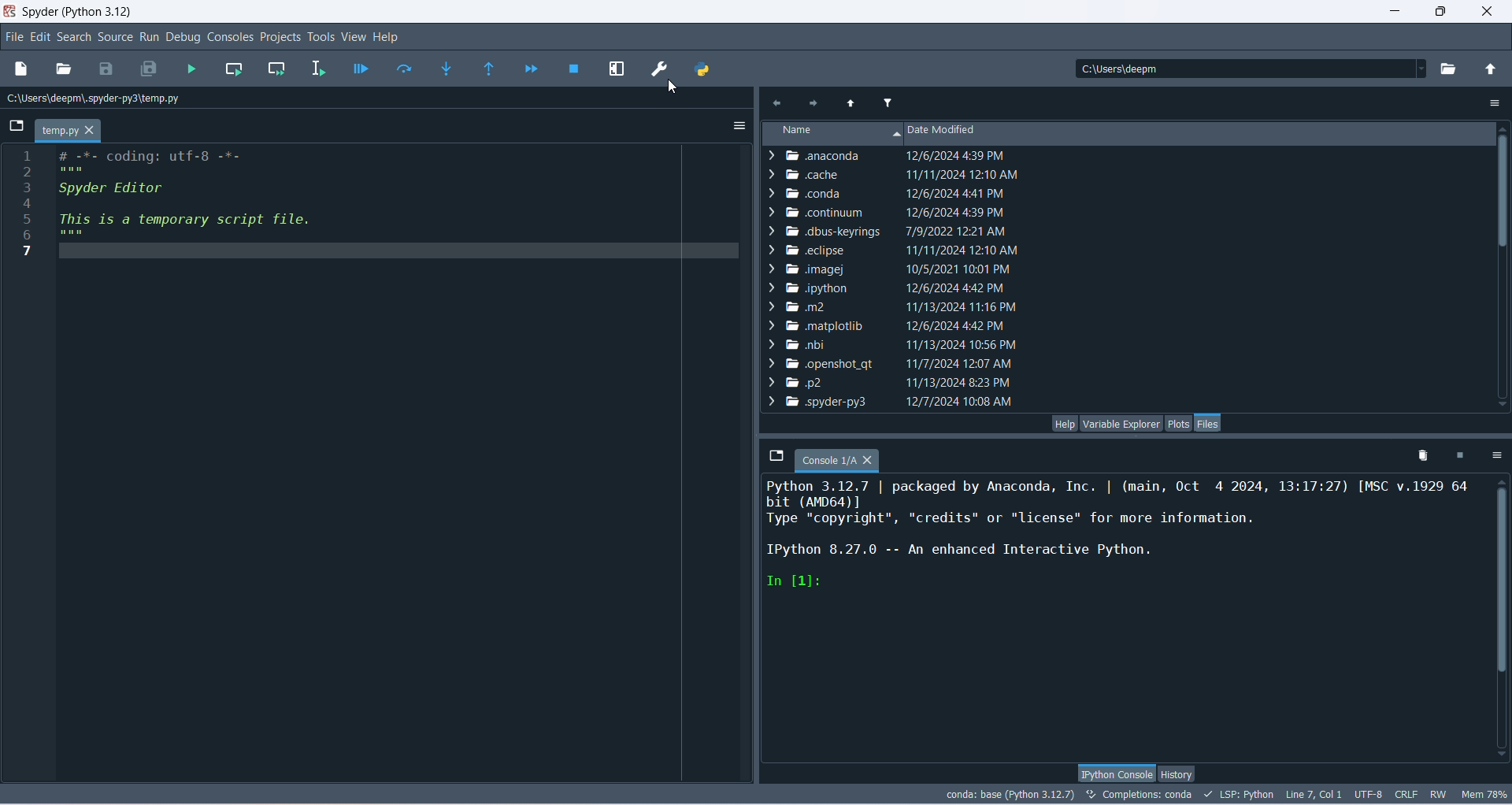 This screenshot has width=1512, height=805. I want to click on open, so click(64, 70).